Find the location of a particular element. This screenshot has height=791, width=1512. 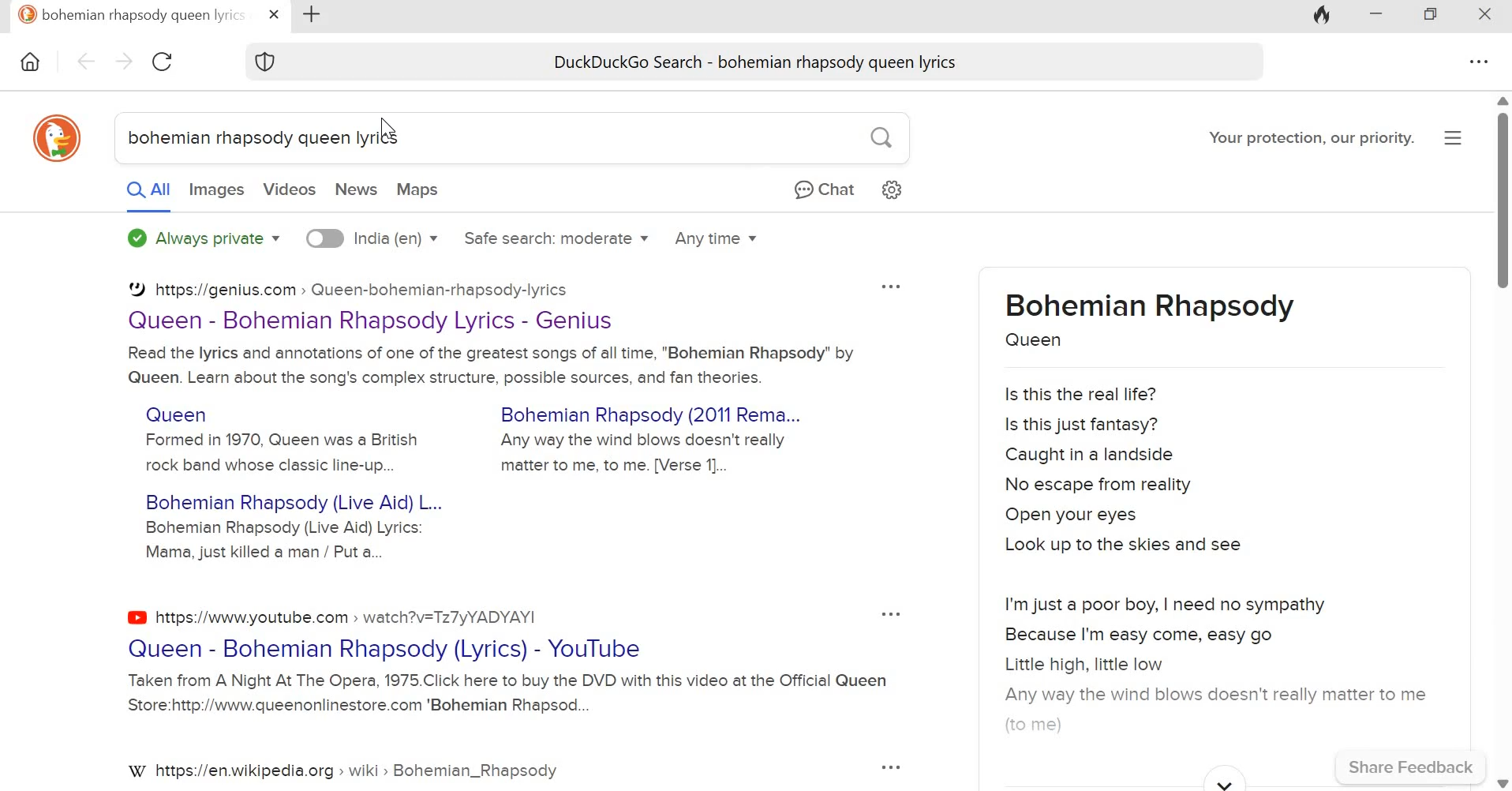

home icon is located at coordinates (32, 63).